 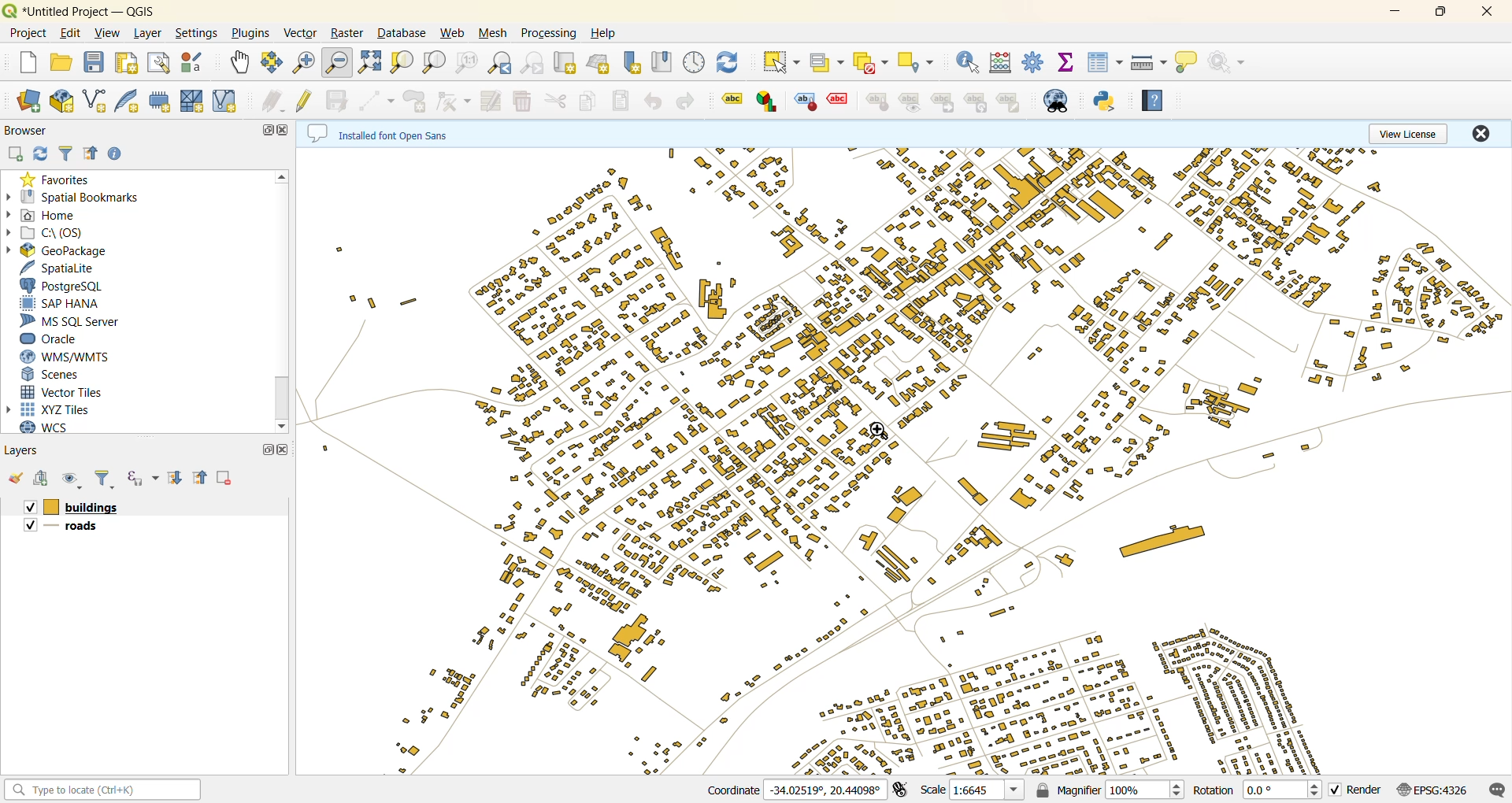 What do you see at coordinates (973, 790) in the screenshot?
I see `scale` at bounding box center [973, 790].